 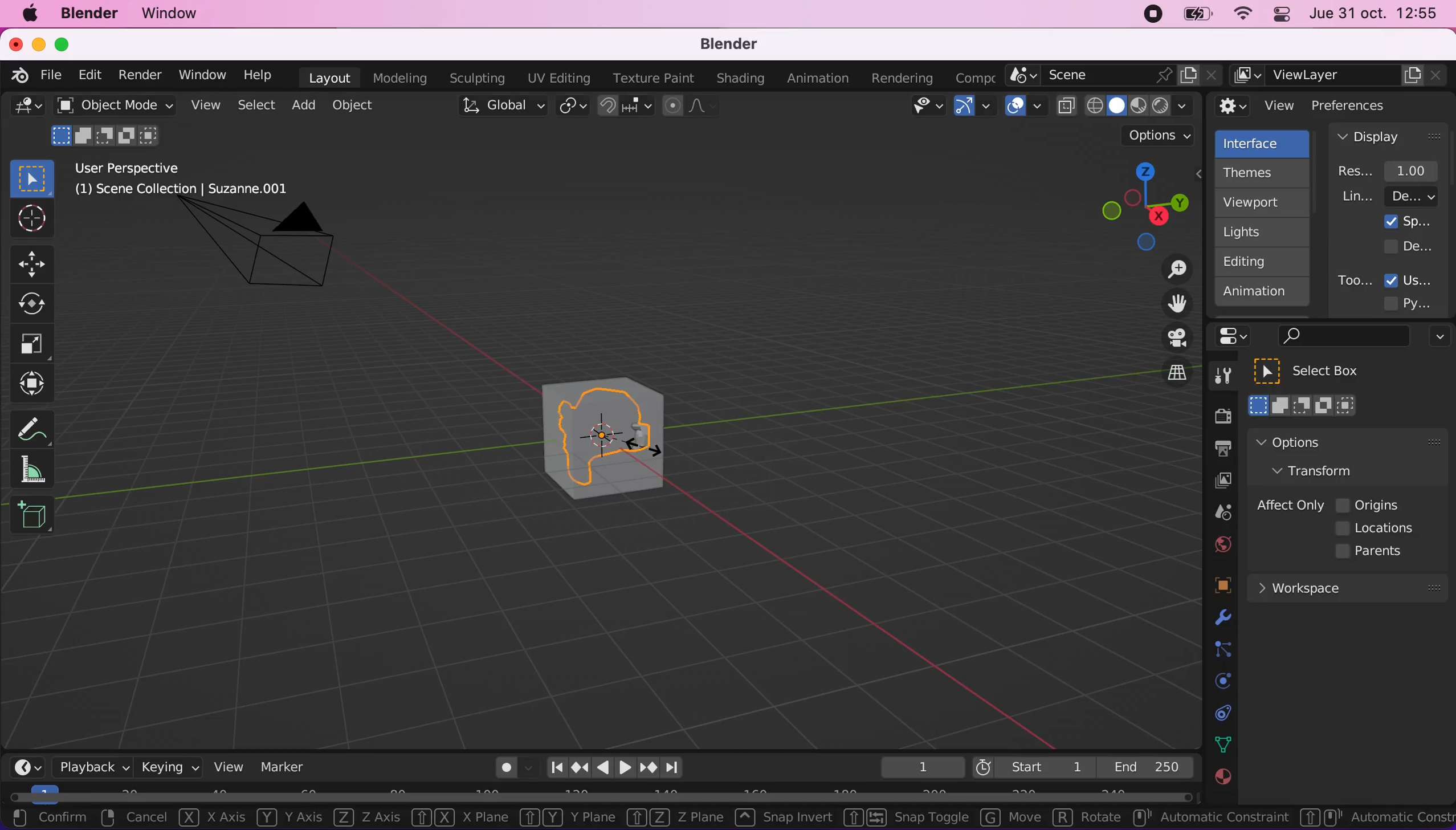 I want to click on view layer, so click(x=1217, y=482).